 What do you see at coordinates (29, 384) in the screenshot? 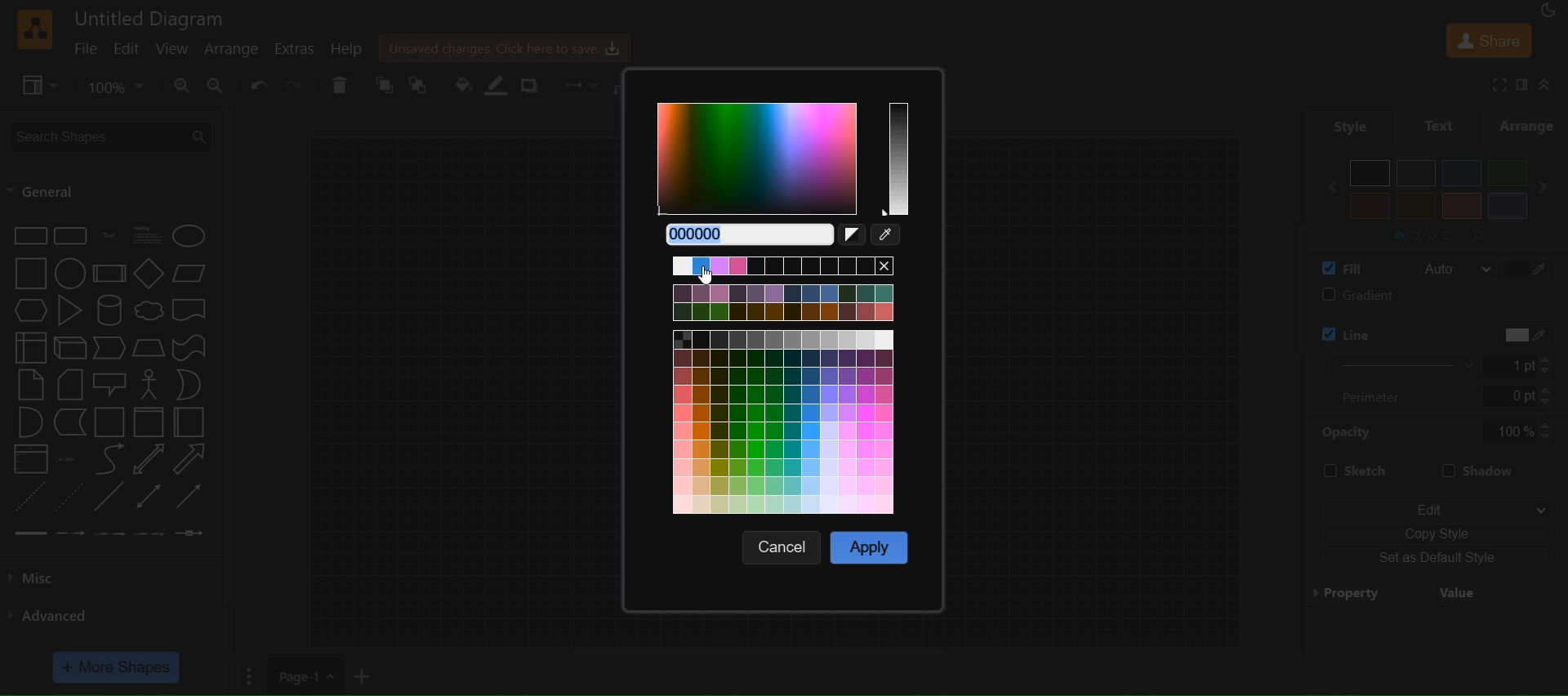
I see `note` at bounding box center [29, 384].